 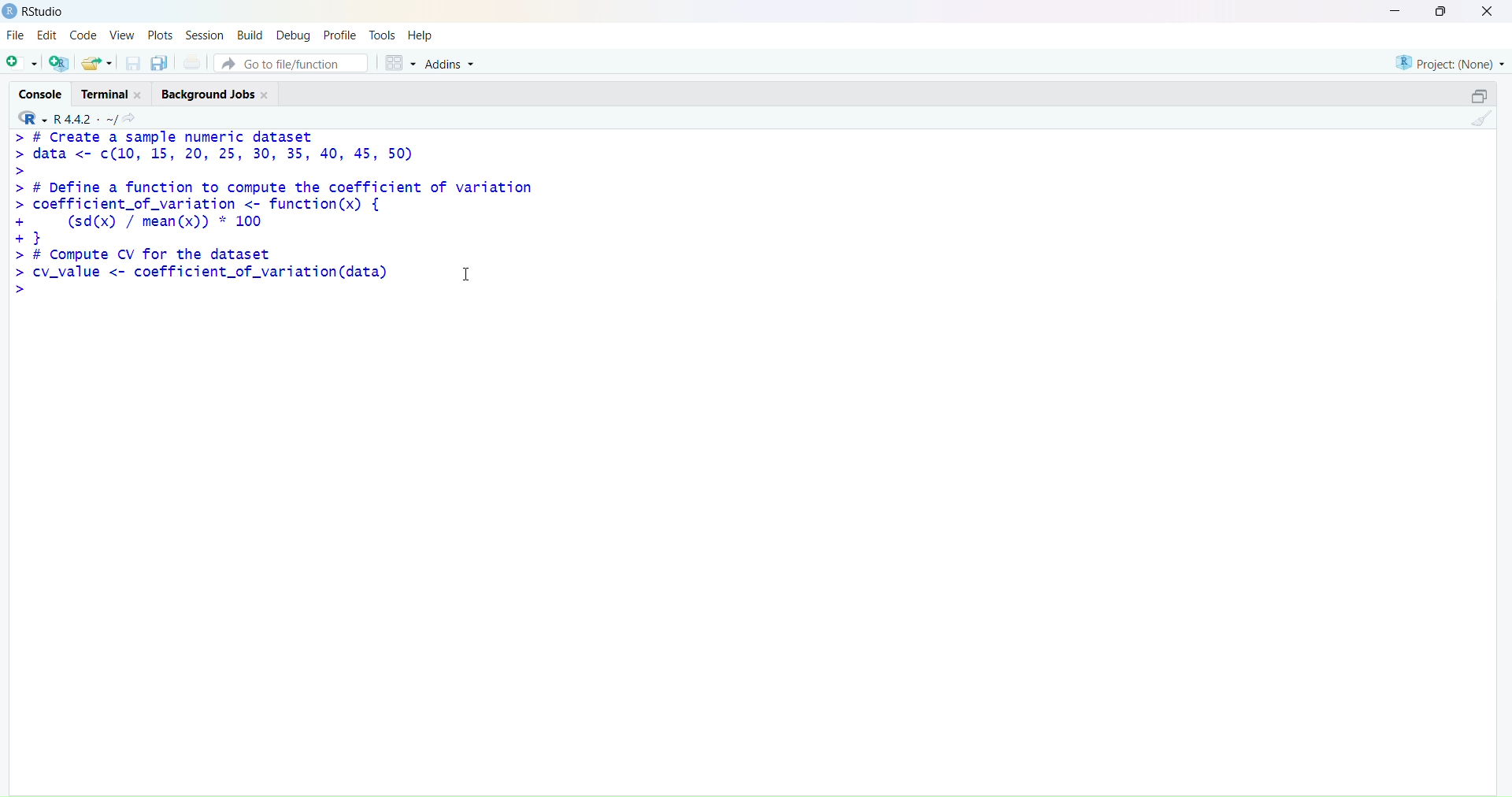 I want to click on share icon, so click(x=130, y=118).